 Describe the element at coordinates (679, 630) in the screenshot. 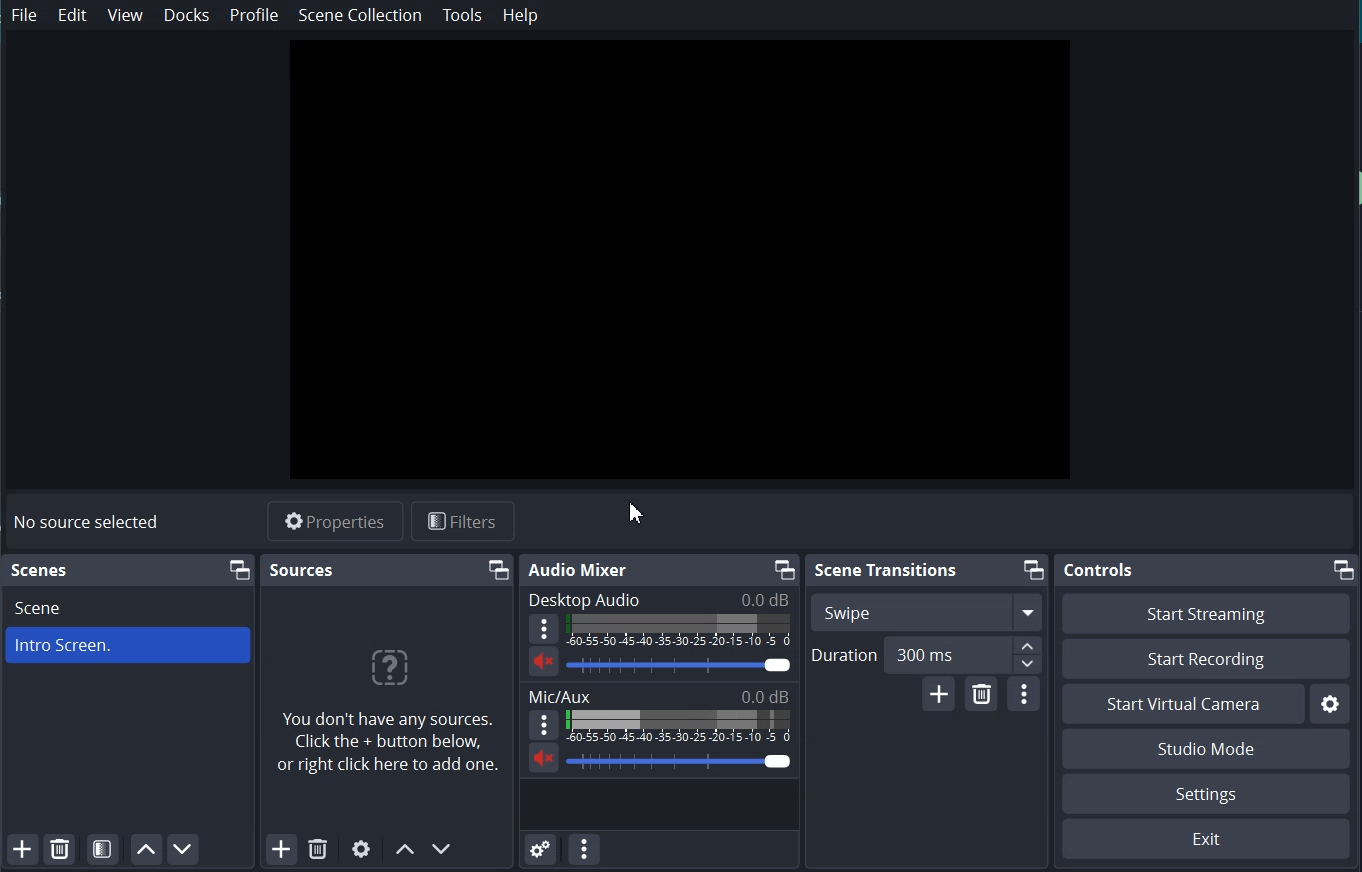

I see `Volume indicator` at that location.